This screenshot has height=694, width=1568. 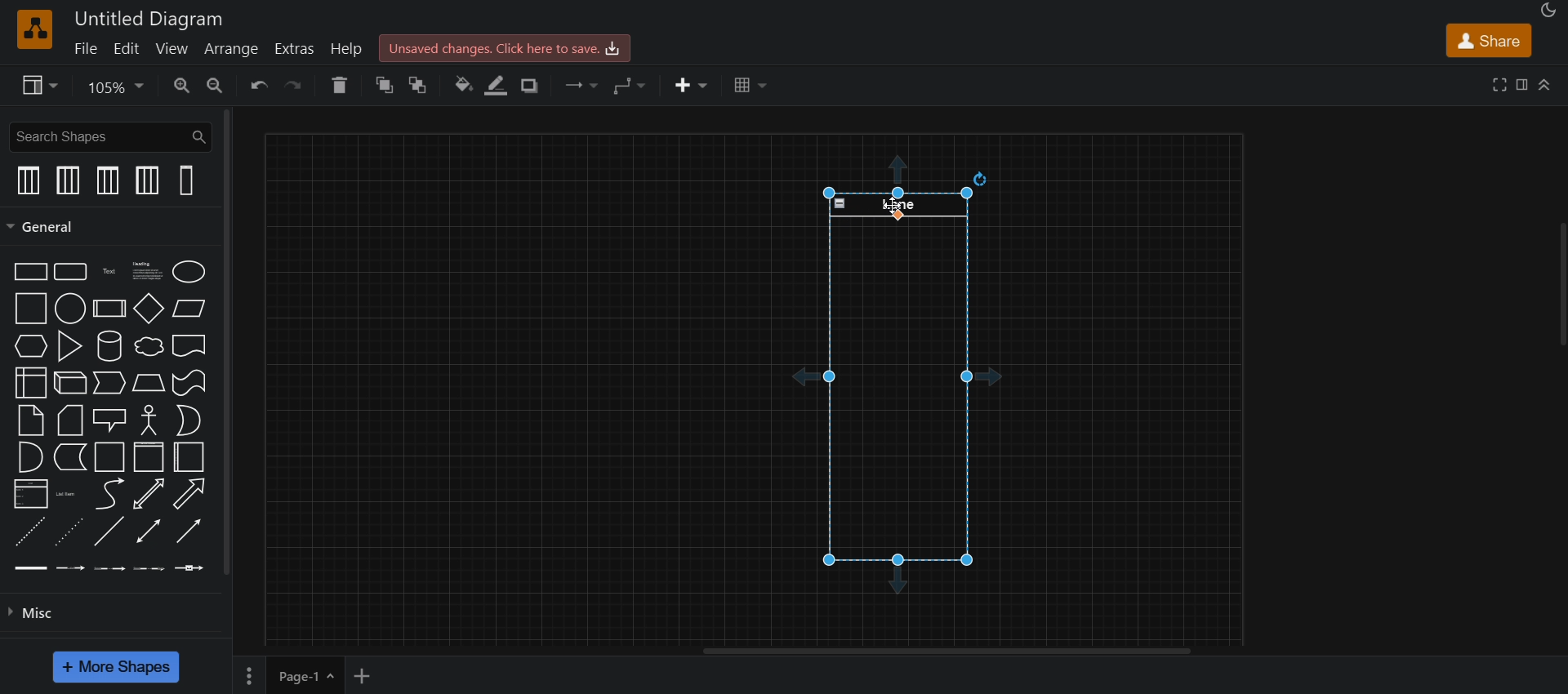 I want to click on connector with 2 labels, so click(x=111, y=568).